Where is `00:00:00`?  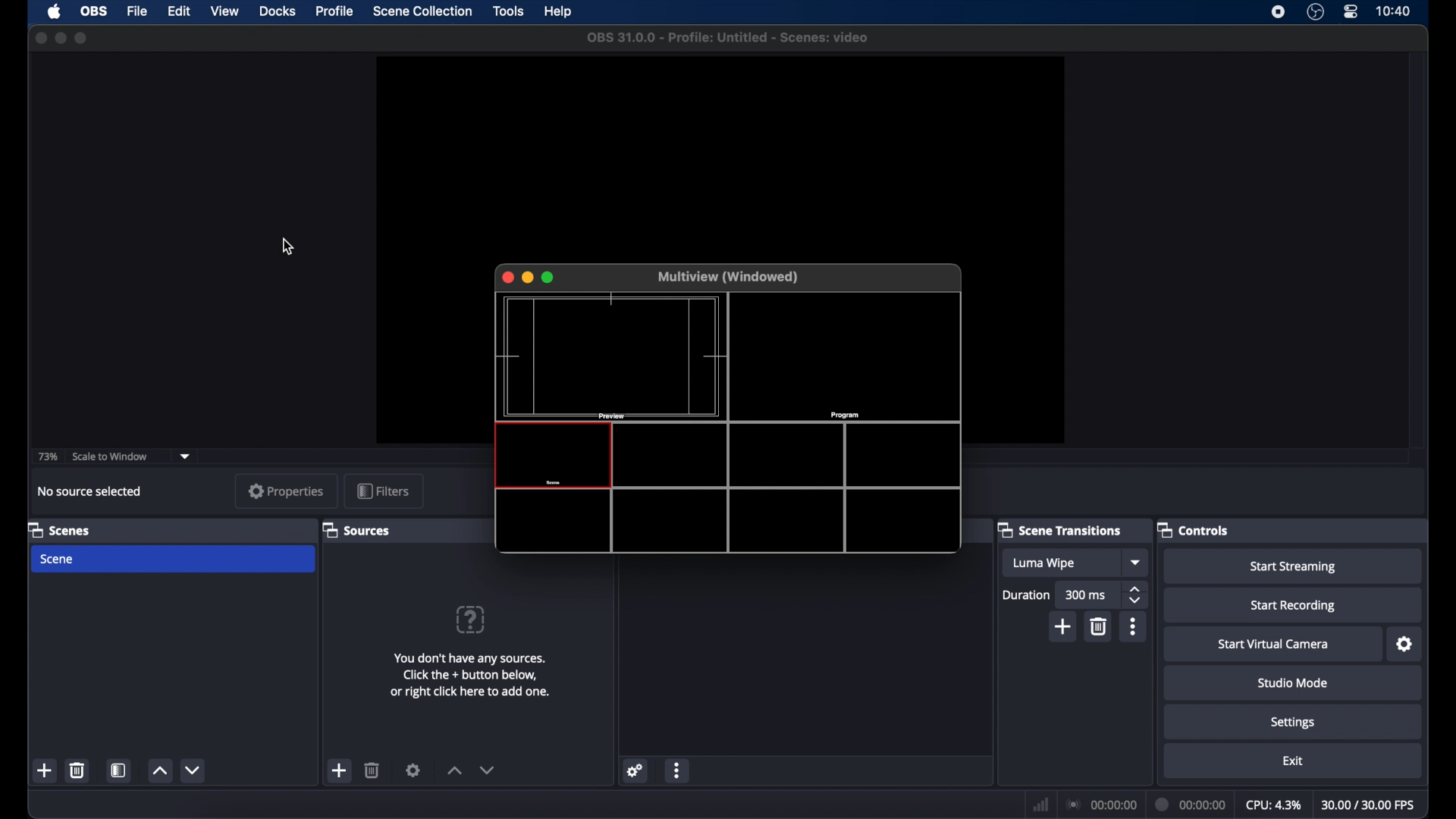 00:00:00 is located at coordinates (1191, 803).